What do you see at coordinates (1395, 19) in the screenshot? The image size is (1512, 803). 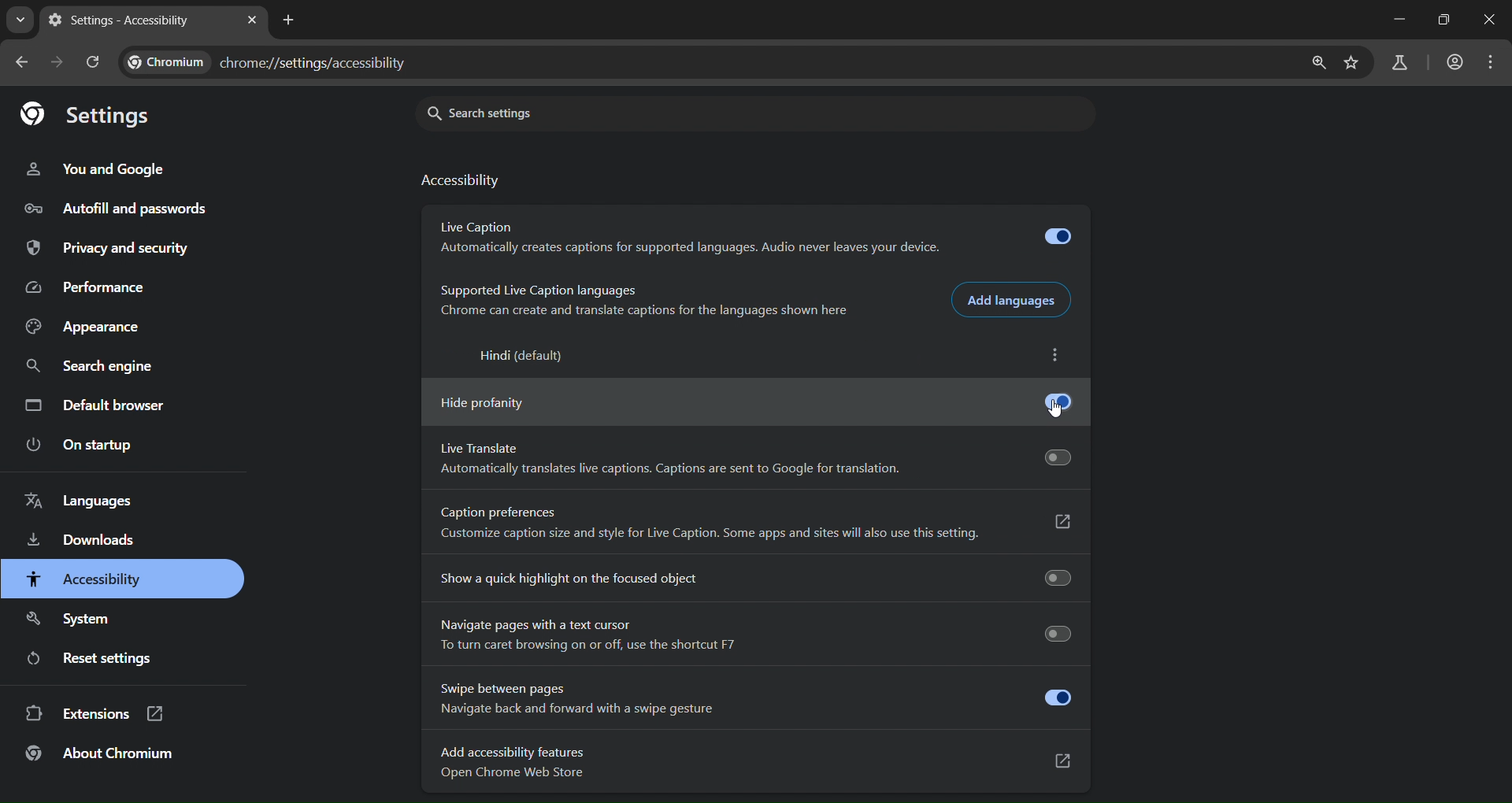 I see `minimize` at bounding box center [1395, 19].